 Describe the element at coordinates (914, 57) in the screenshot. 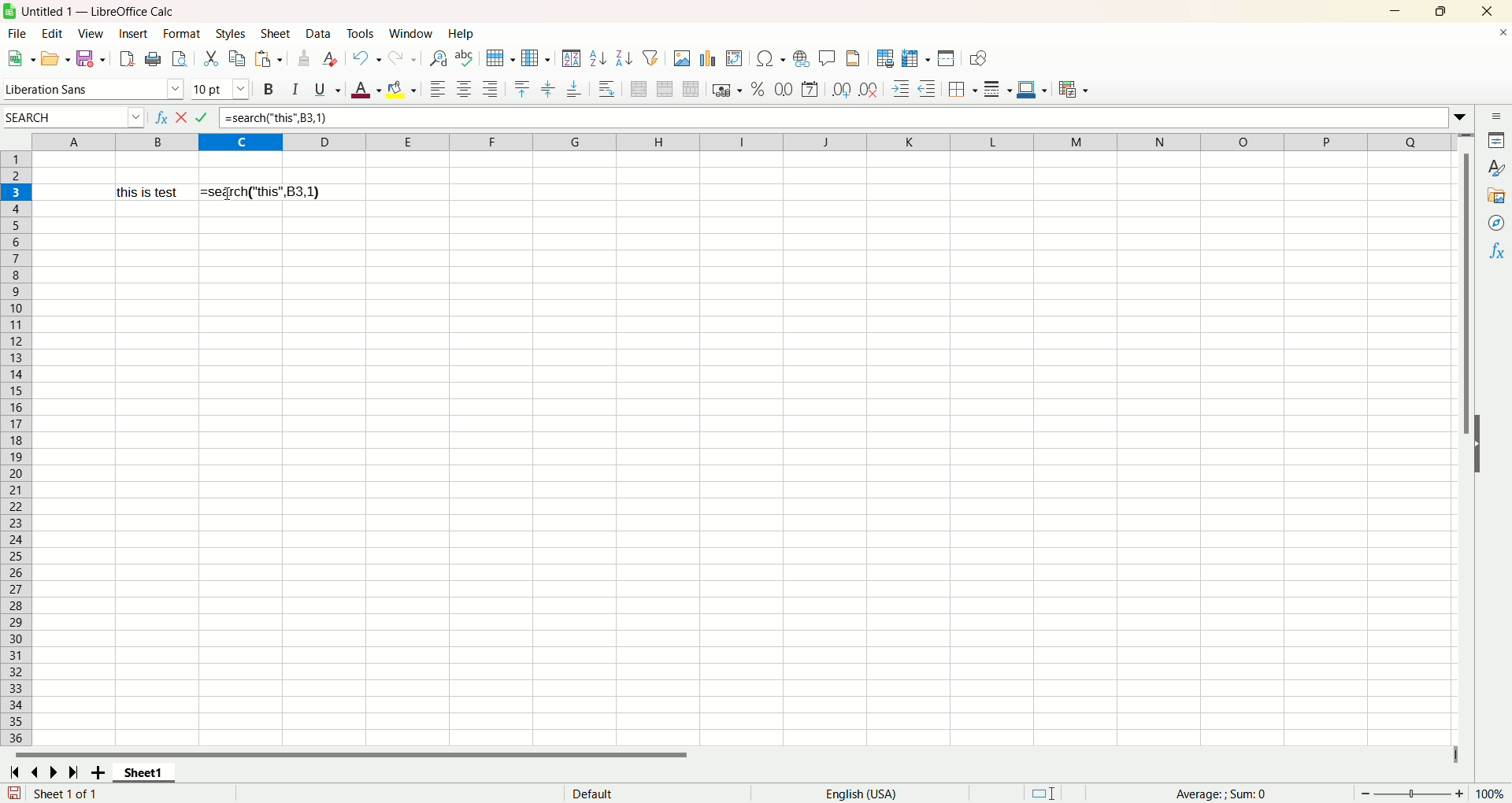

I see `freeze rows and columns` at that location.